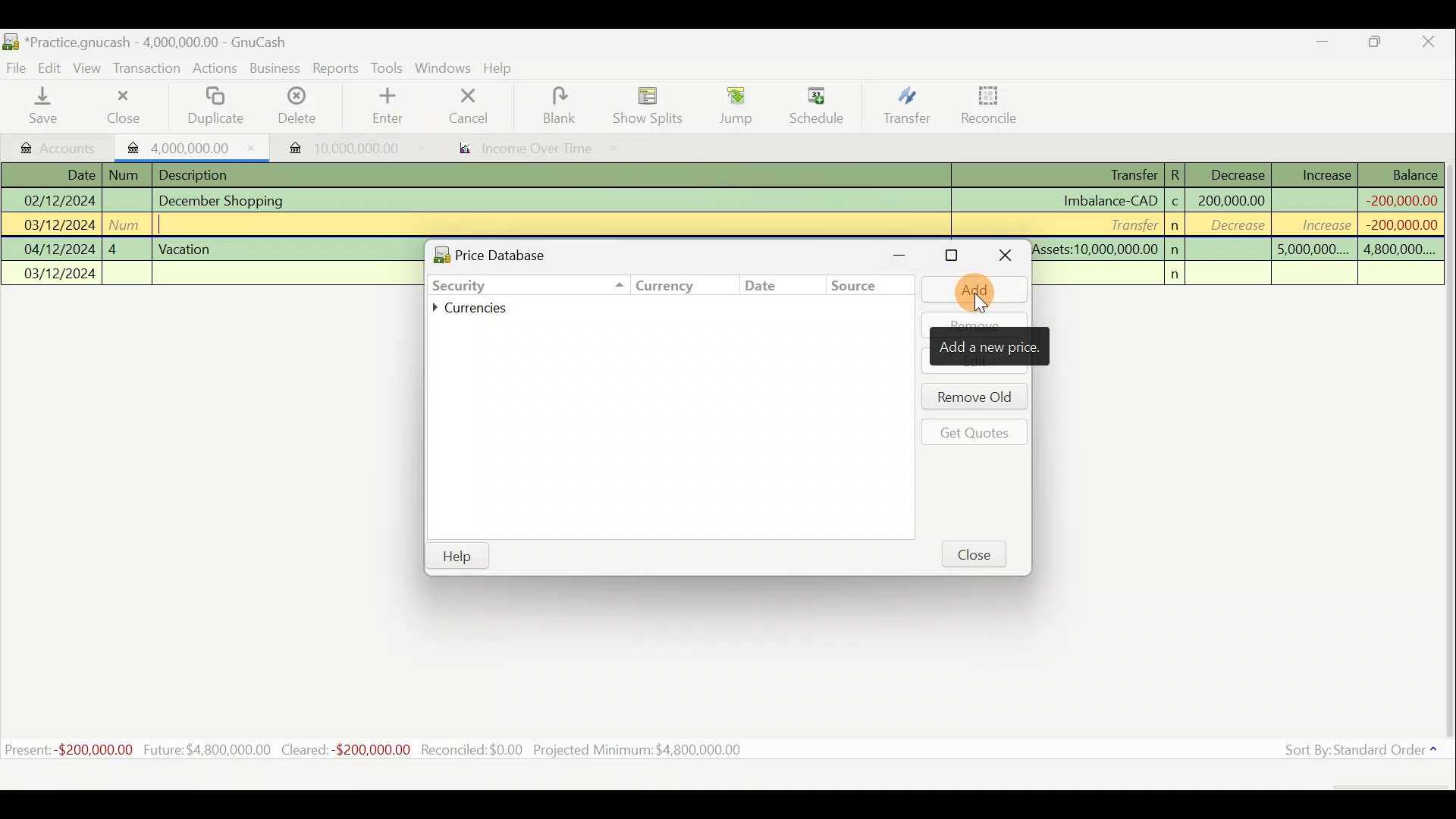 The width and height of the screenshot is (1456, 819). What do you see at coordinates (334, 144) in the screenshot?
I see `Imported transaction` at bounding box center [334, 144].